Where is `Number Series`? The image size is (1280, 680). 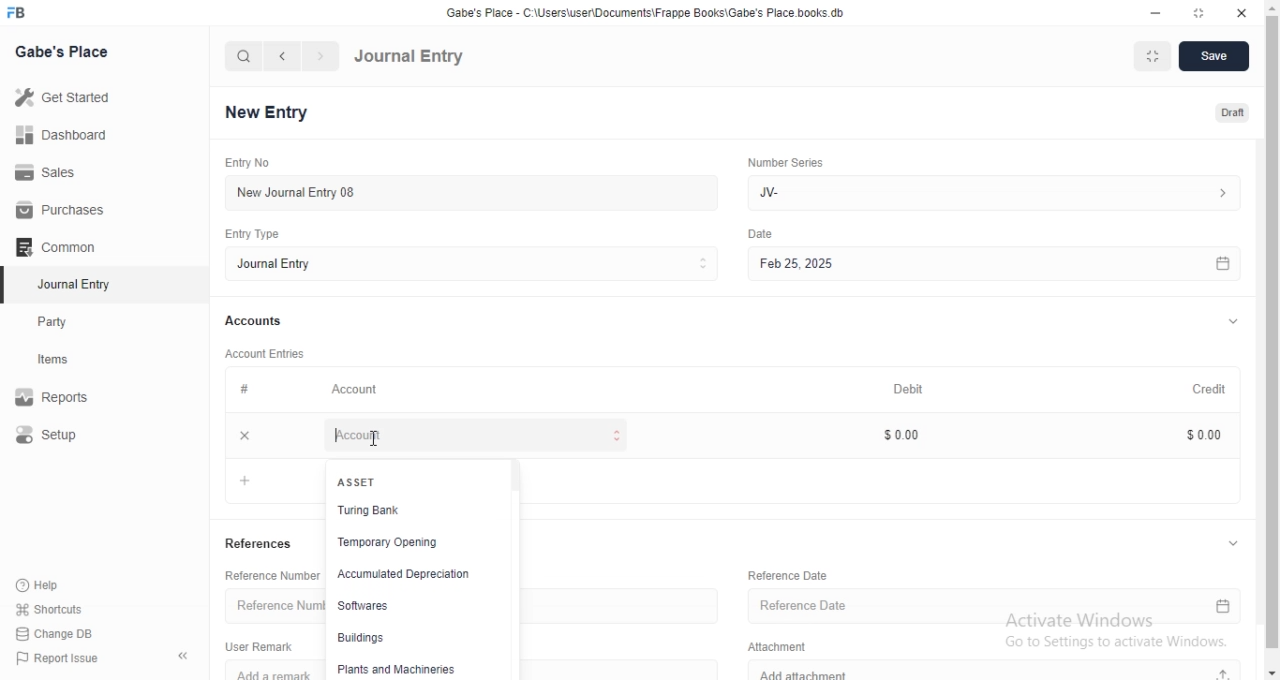 Number Series is located at coordinates (793, 164).